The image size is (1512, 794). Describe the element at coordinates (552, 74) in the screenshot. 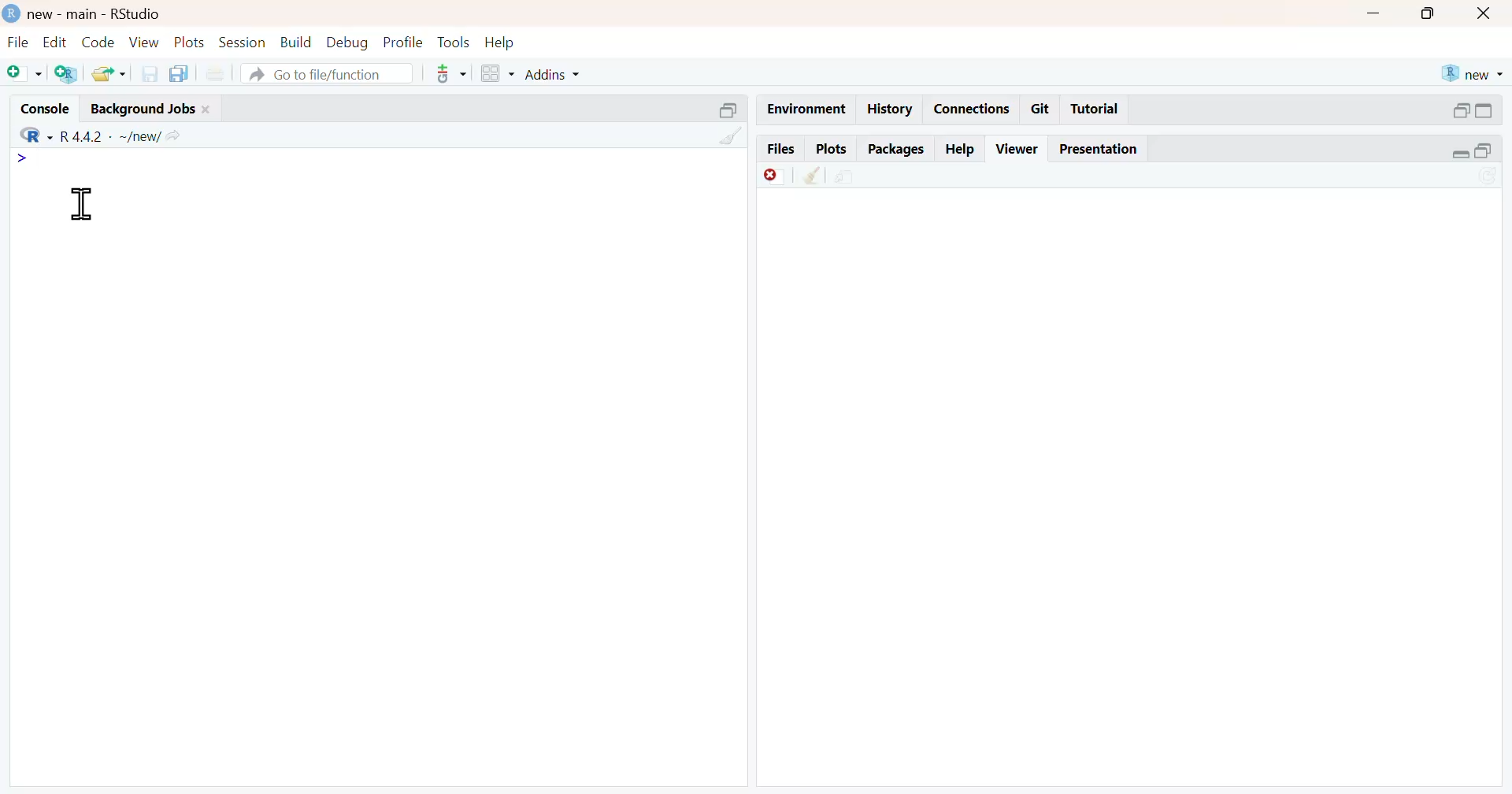

I see `Addins` at that location.